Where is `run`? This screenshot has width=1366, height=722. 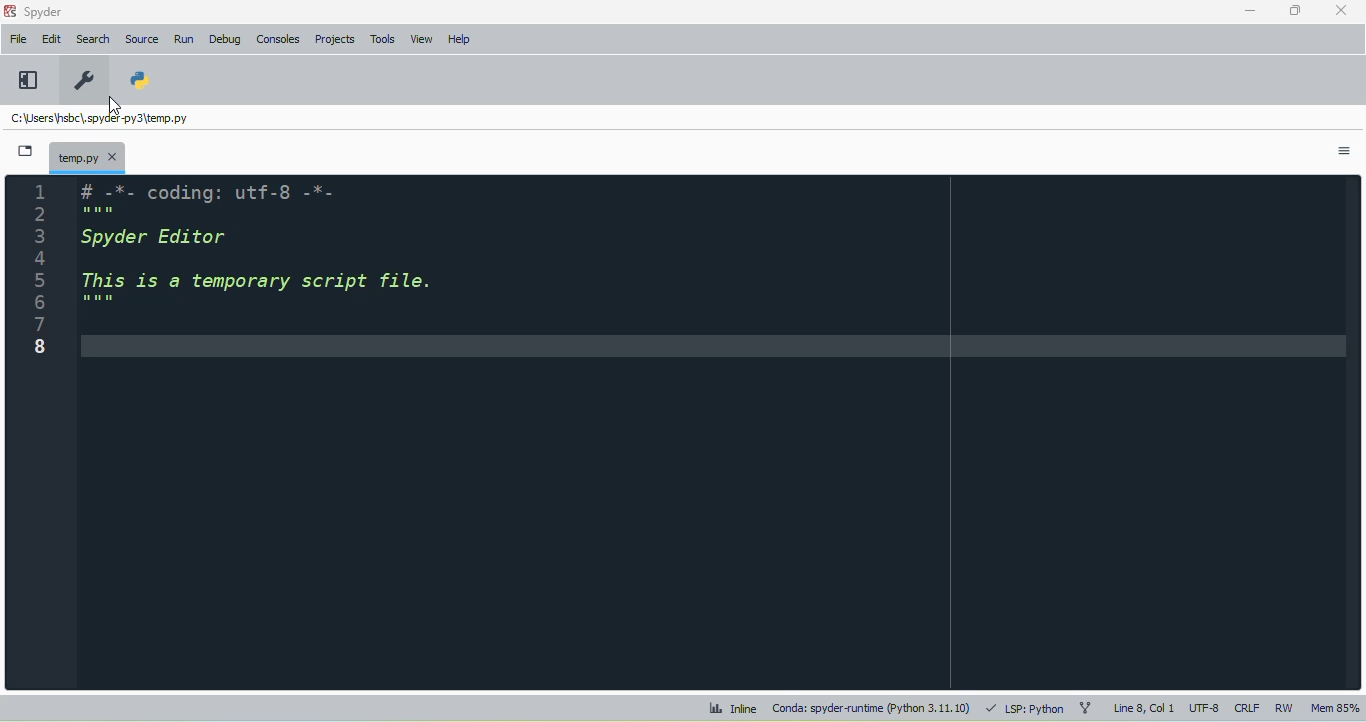 run is located at coordinates (184, 40).